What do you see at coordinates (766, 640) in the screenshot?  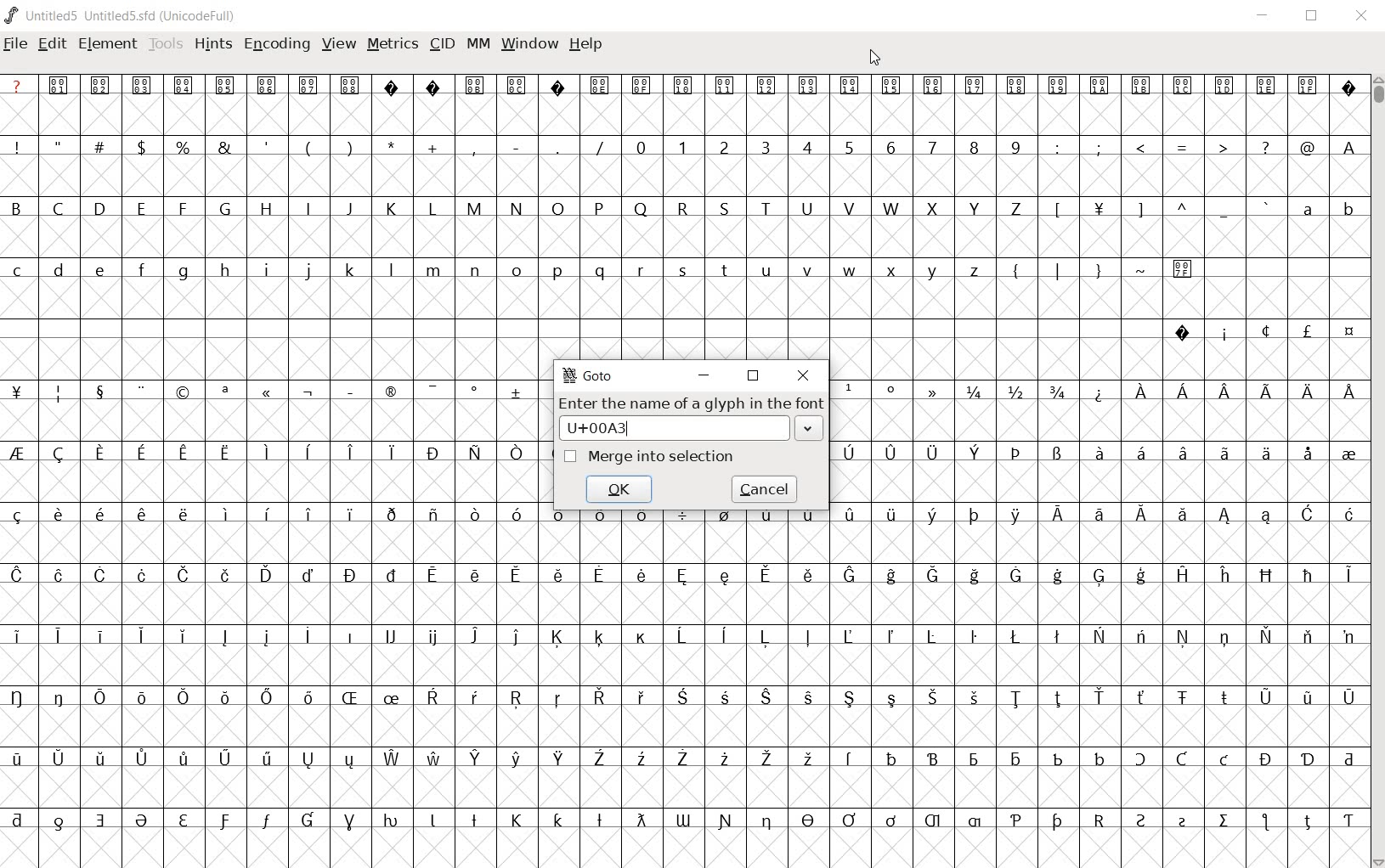 I see `Symbol` at bounding box center [766, 640].